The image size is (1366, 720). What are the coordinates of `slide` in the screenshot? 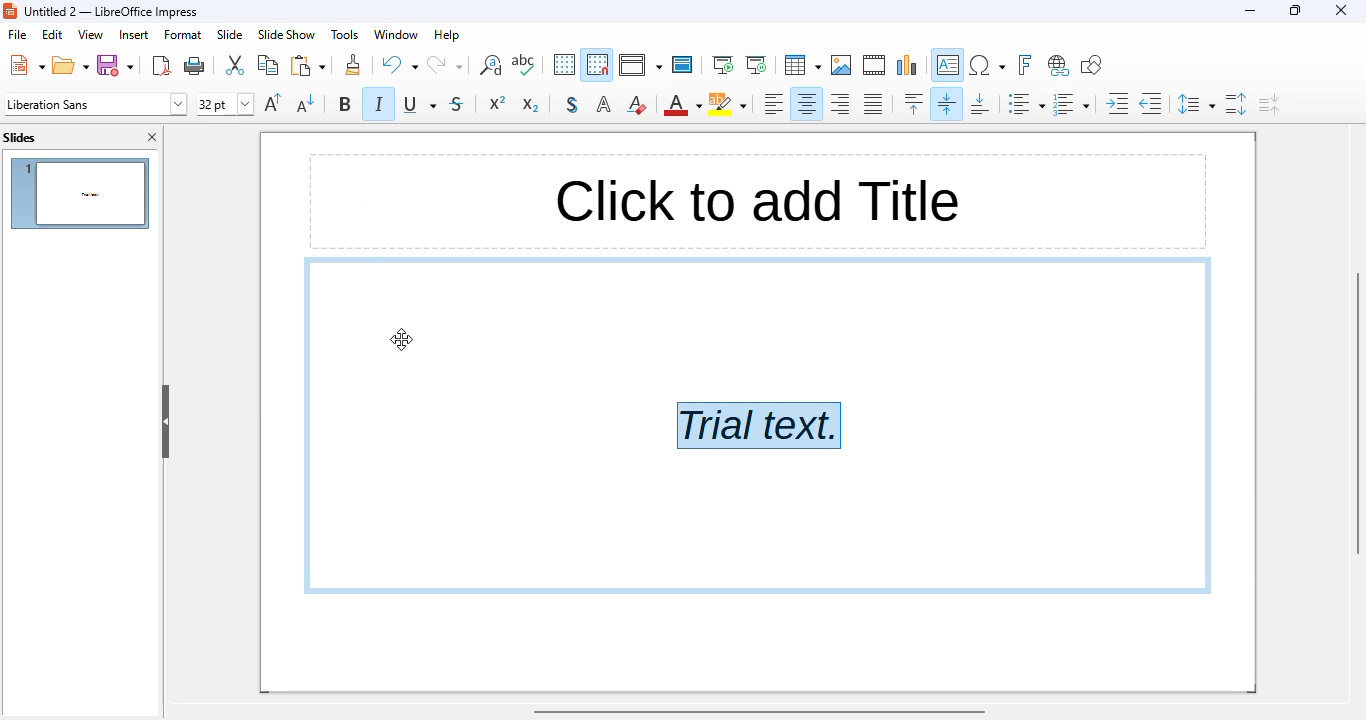 It's located at (231, 34).